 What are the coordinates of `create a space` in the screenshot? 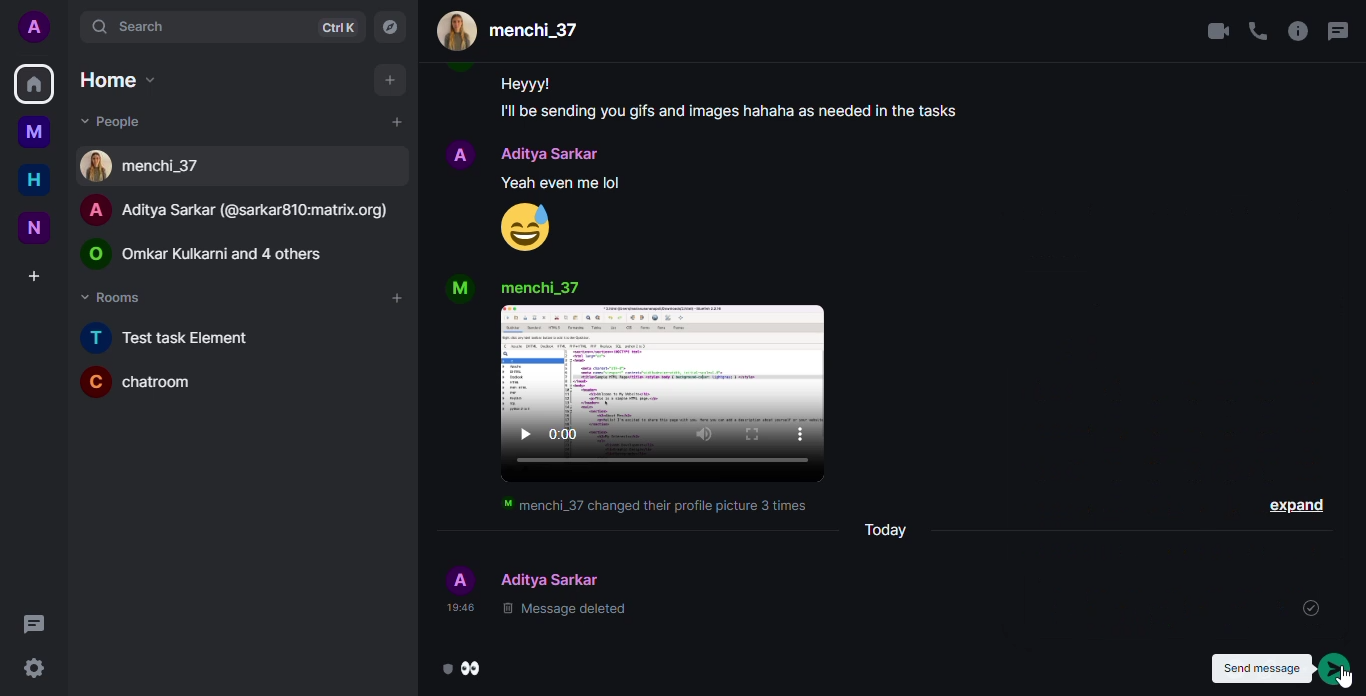 It's located at (35, 273).